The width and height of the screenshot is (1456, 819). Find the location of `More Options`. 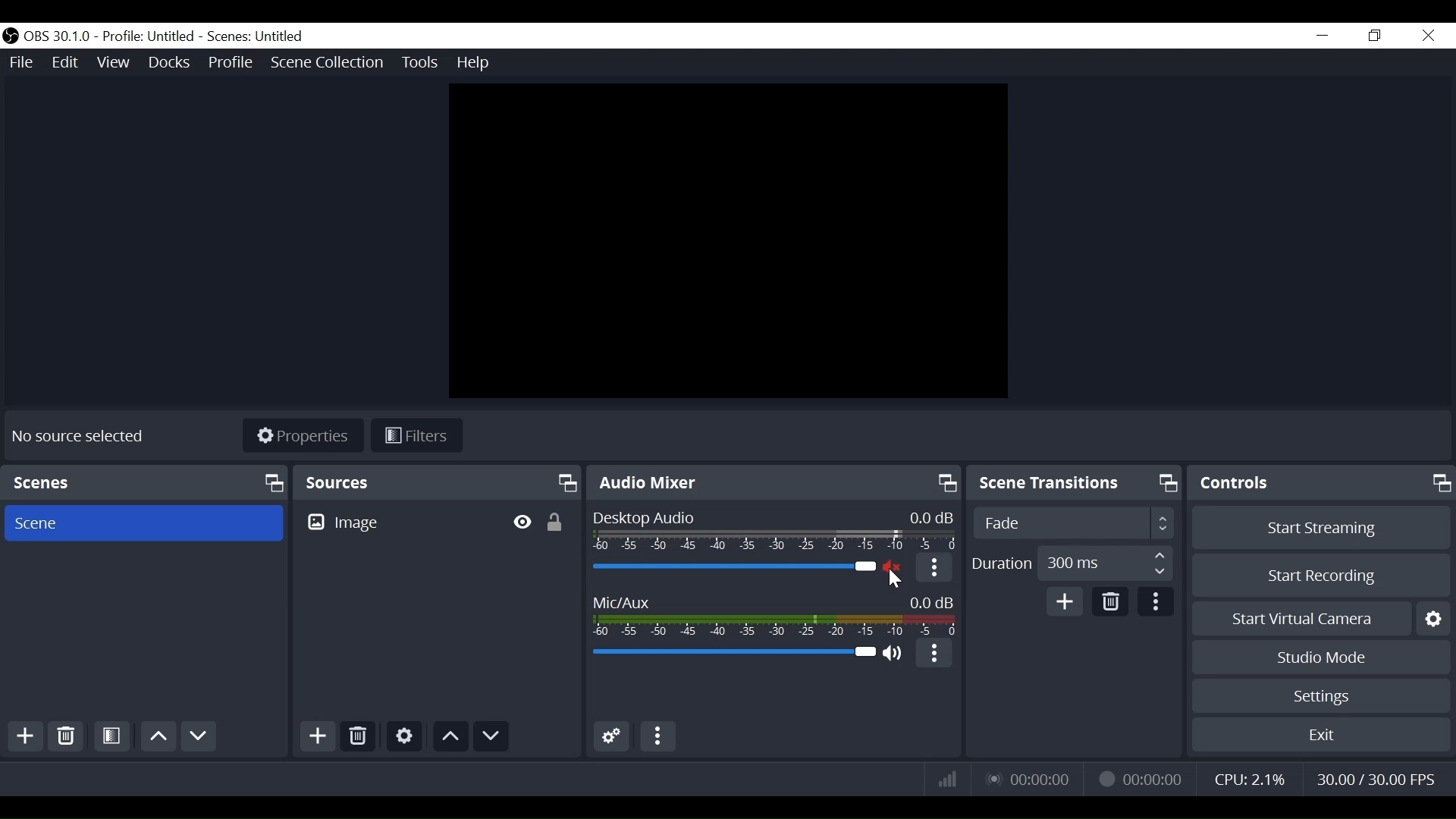

More Options is located at coordinates (938, 571).